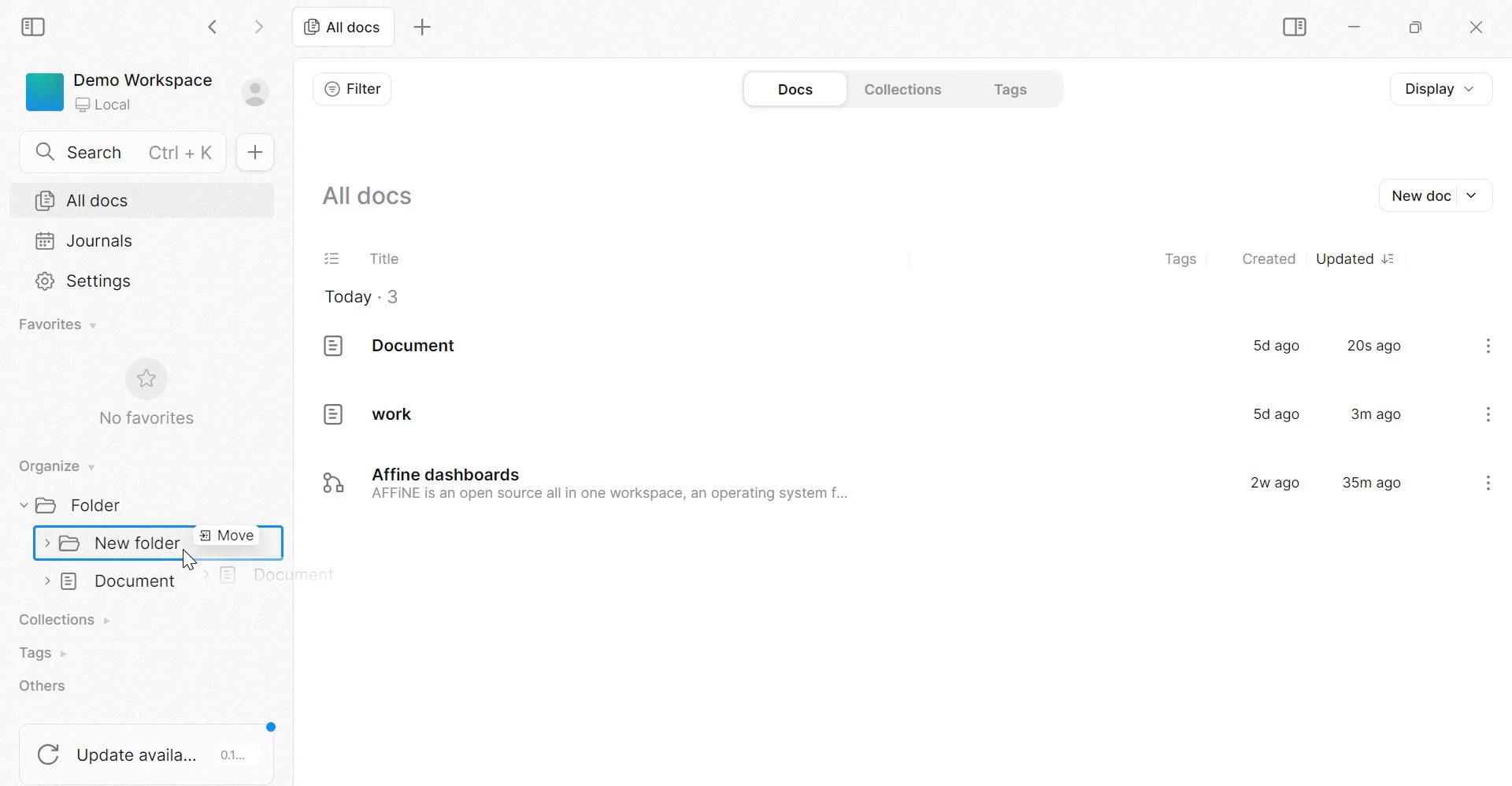  Describe the element at coordinates (1443, 195) in the screenshot. I see `New Doc` at that location.